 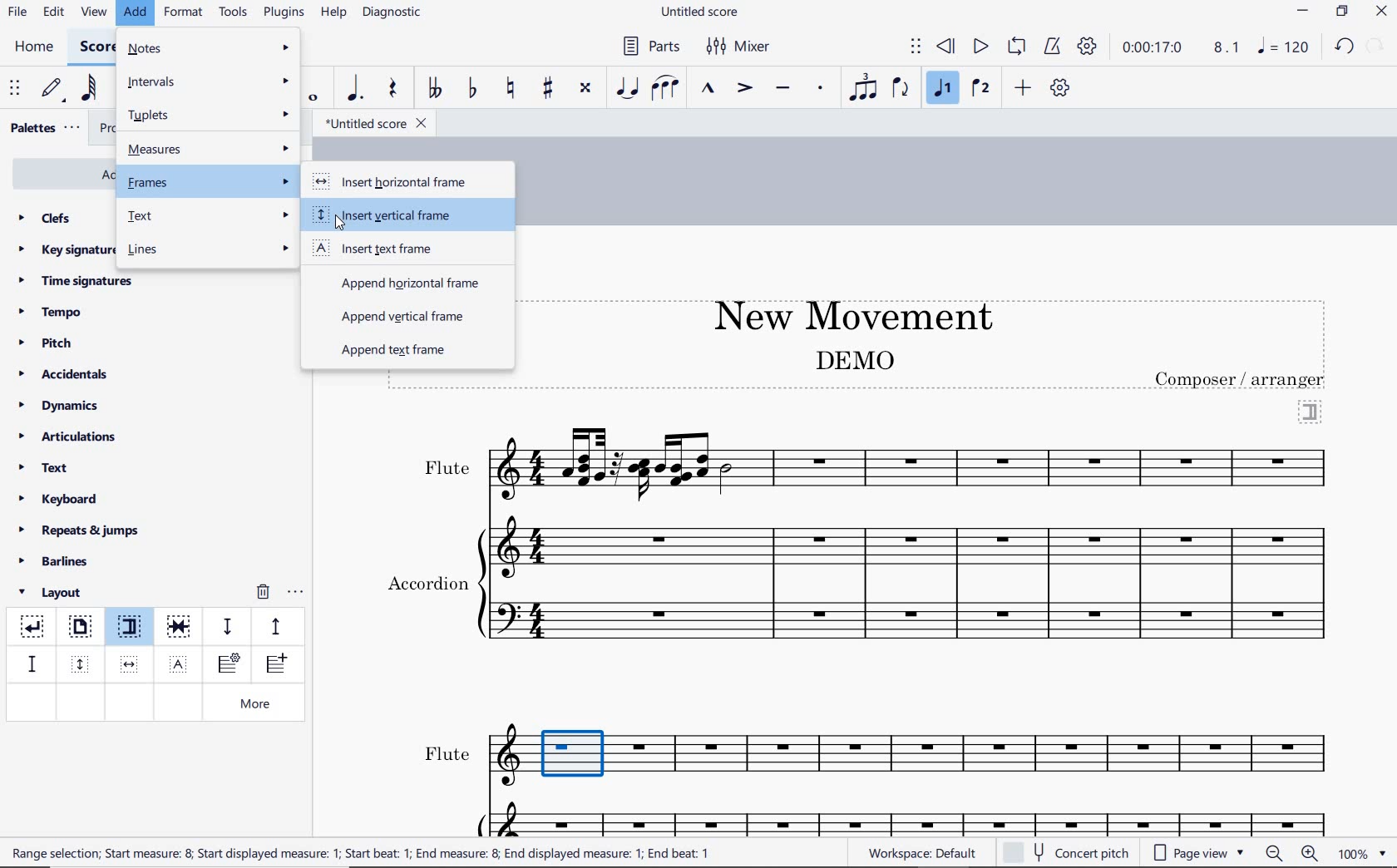 What do you see at coordinates (739, 47) in the screenshot?
I see `Mixer` at bounding box center [739, 47].